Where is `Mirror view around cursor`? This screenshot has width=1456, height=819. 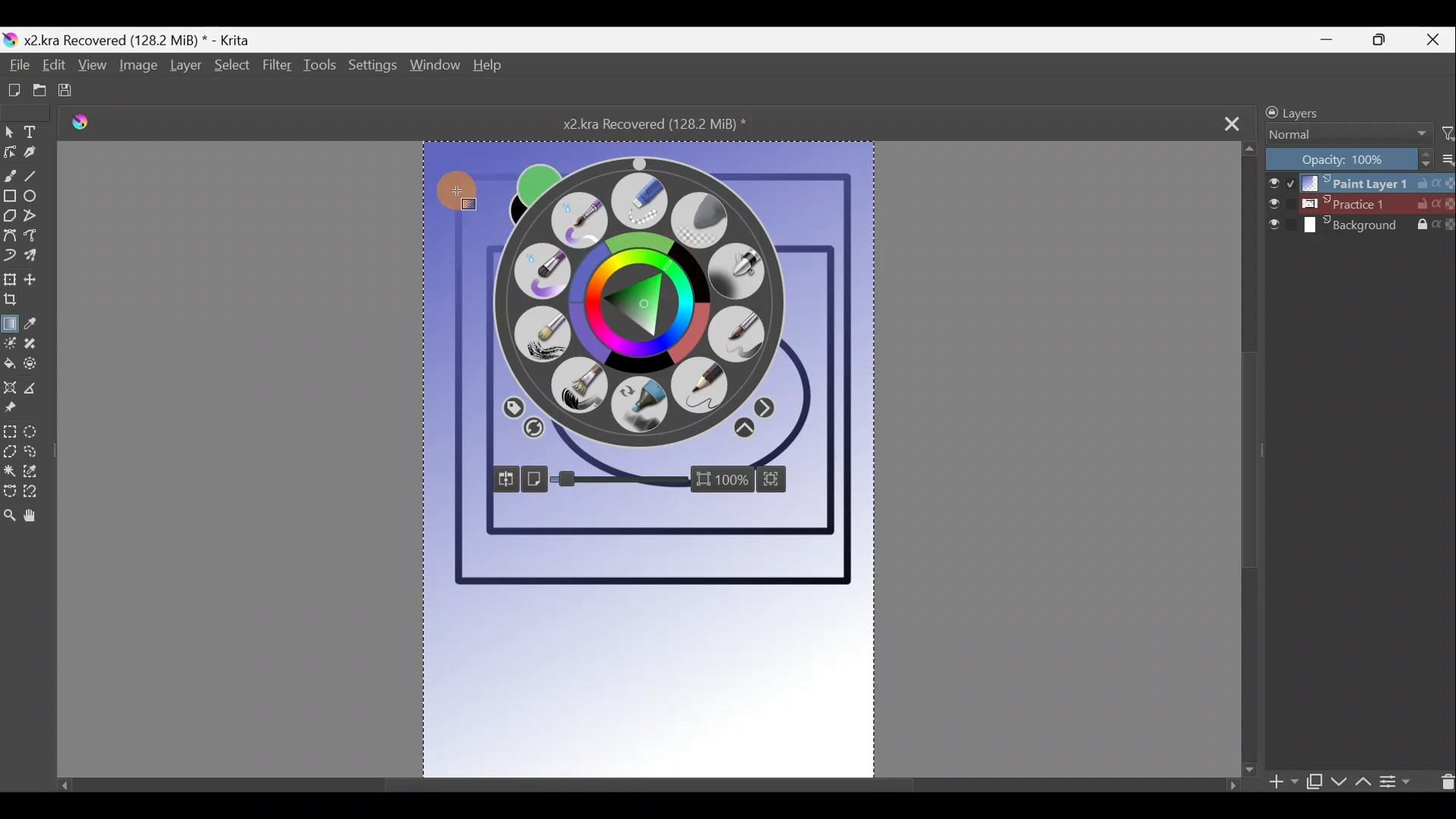 Mirror view around cursor is located at coordinates (503, 479).